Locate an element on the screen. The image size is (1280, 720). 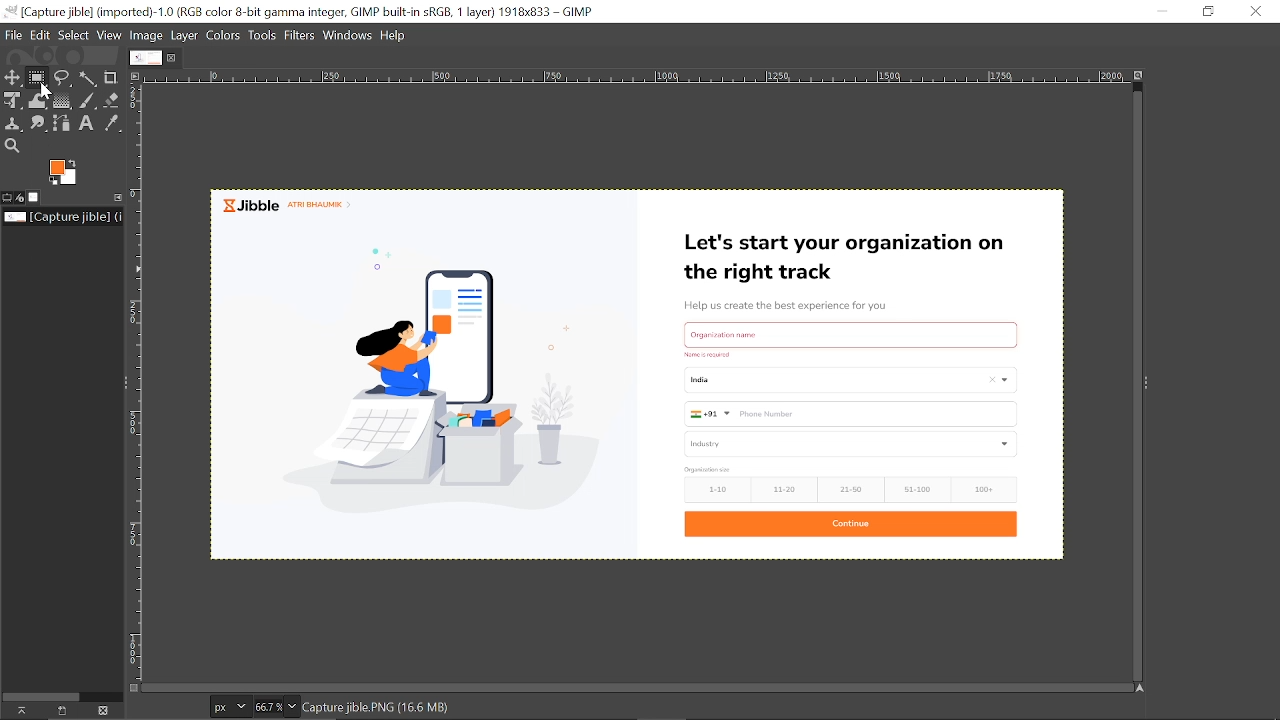
Smudge tool is located at coordinates (40, 123).